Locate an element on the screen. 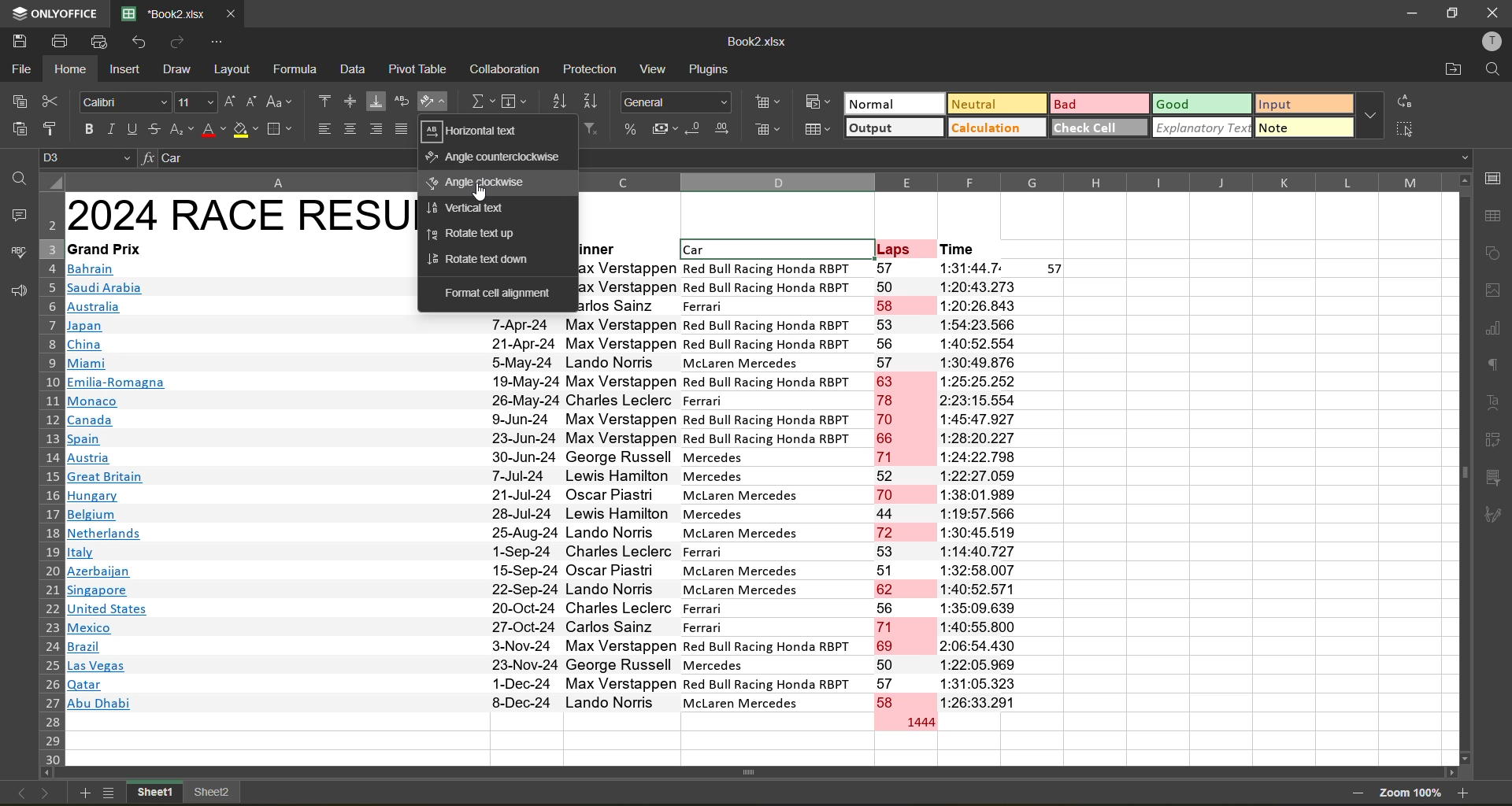  protection is located at coordinates (595, 68).